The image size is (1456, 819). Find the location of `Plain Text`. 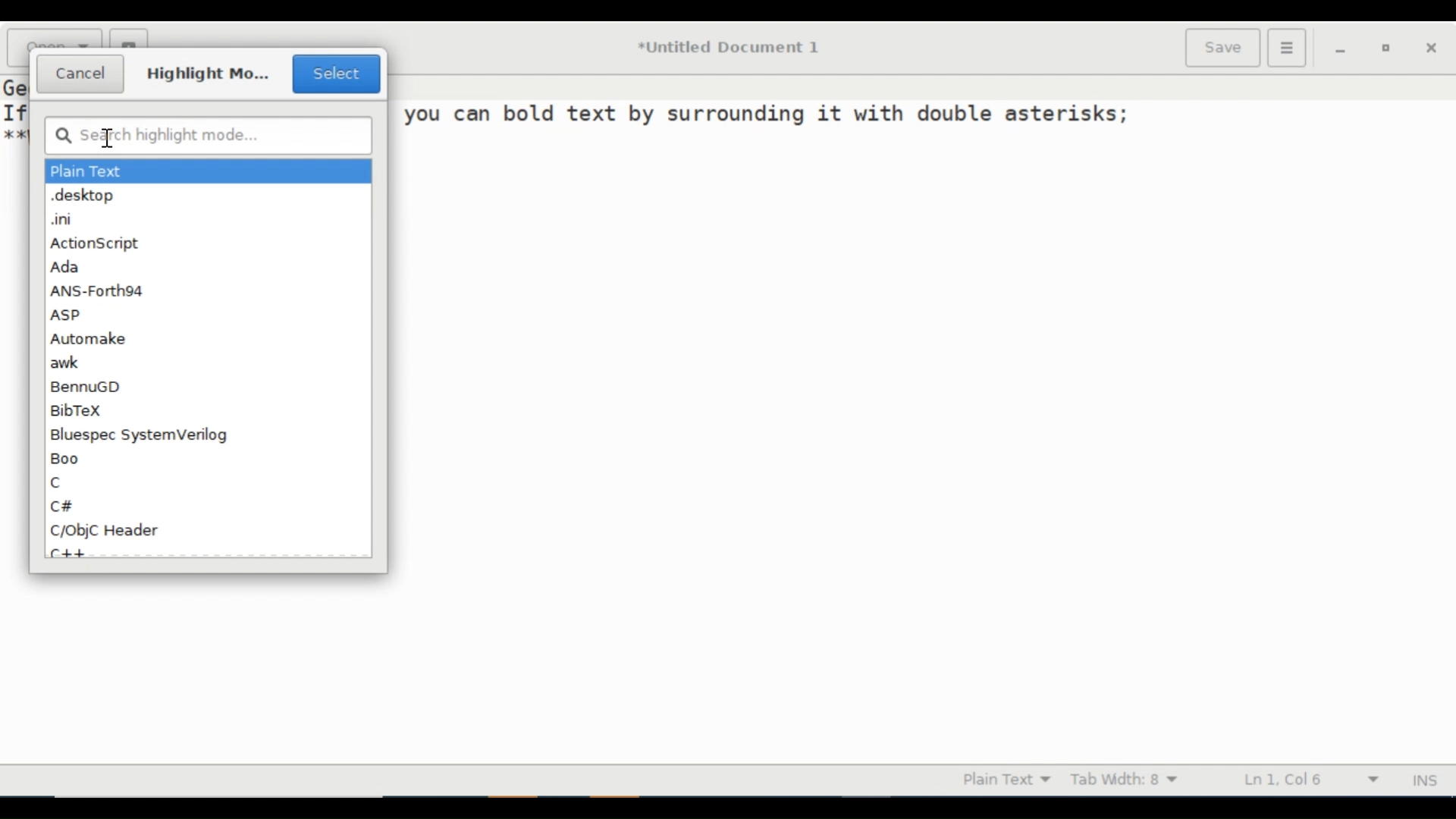

Plain Text is located at coordinates (89, 171).